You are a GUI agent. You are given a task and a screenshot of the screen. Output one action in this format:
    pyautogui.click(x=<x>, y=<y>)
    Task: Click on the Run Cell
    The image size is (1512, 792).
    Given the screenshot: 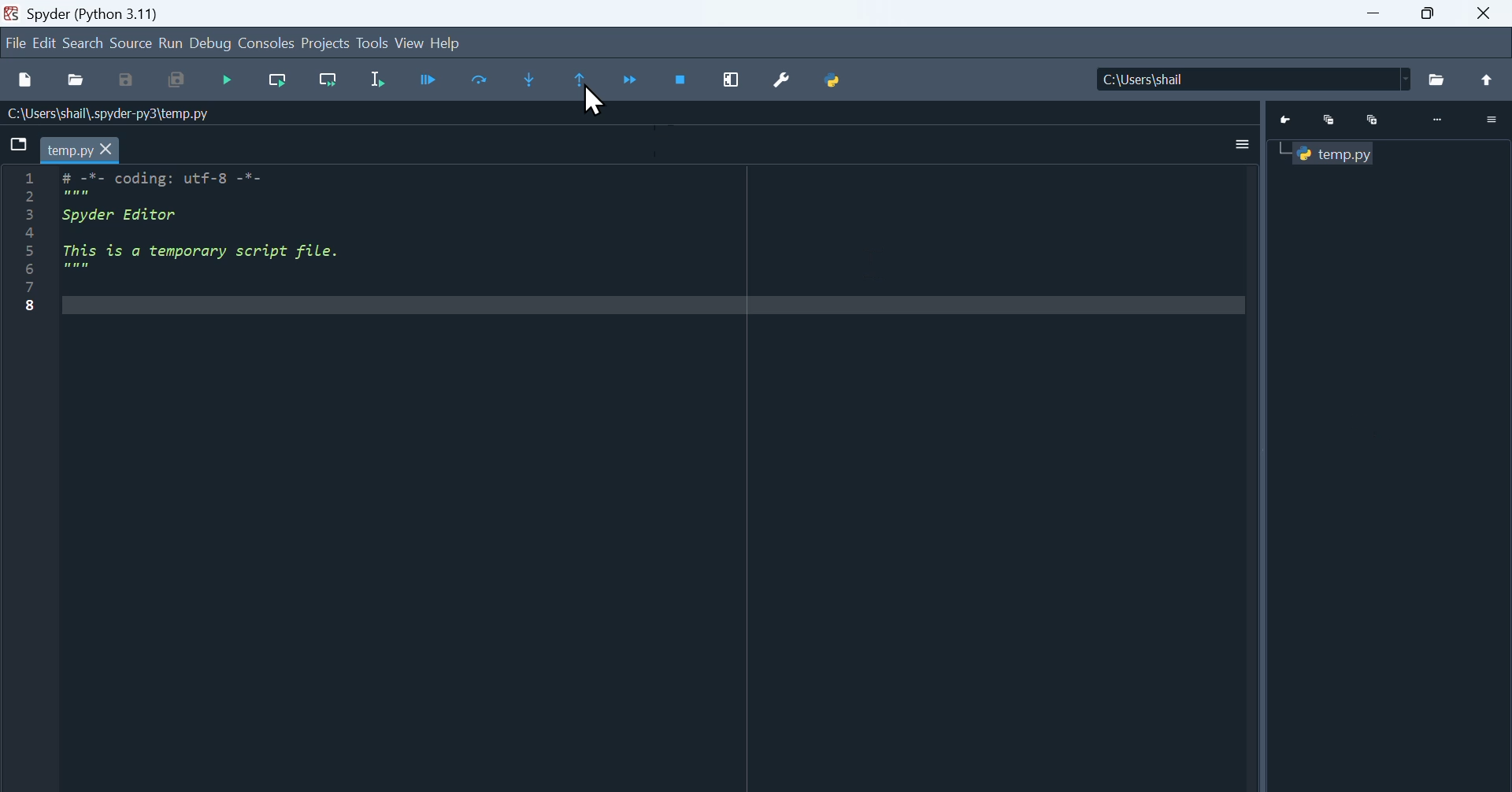 What is the action you would take?
    pyautogui.click(x=480, y=79)
    